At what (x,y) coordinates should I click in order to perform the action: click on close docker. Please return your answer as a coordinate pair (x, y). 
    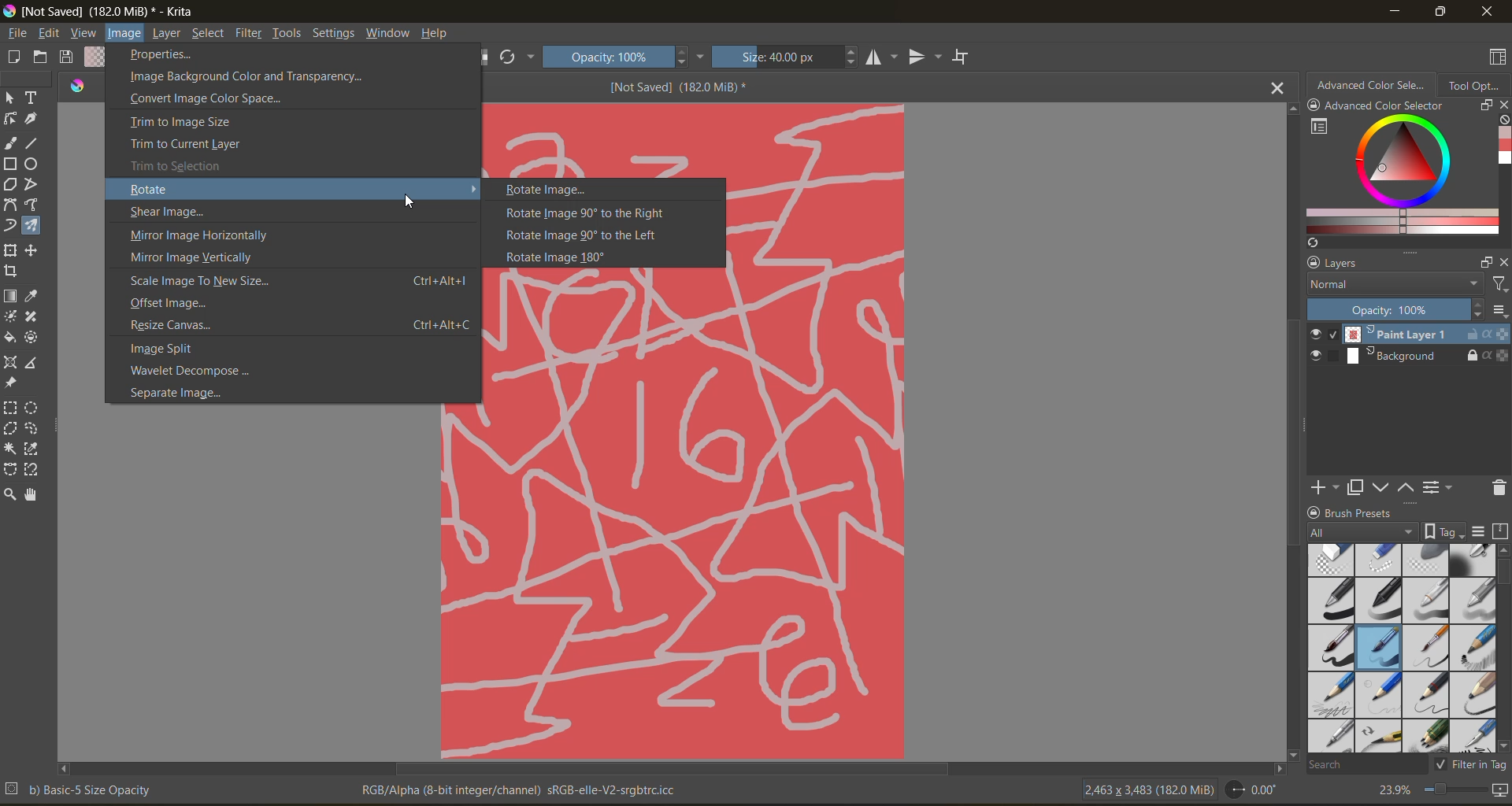
    Looking at the image, I should click on (1503, 105).